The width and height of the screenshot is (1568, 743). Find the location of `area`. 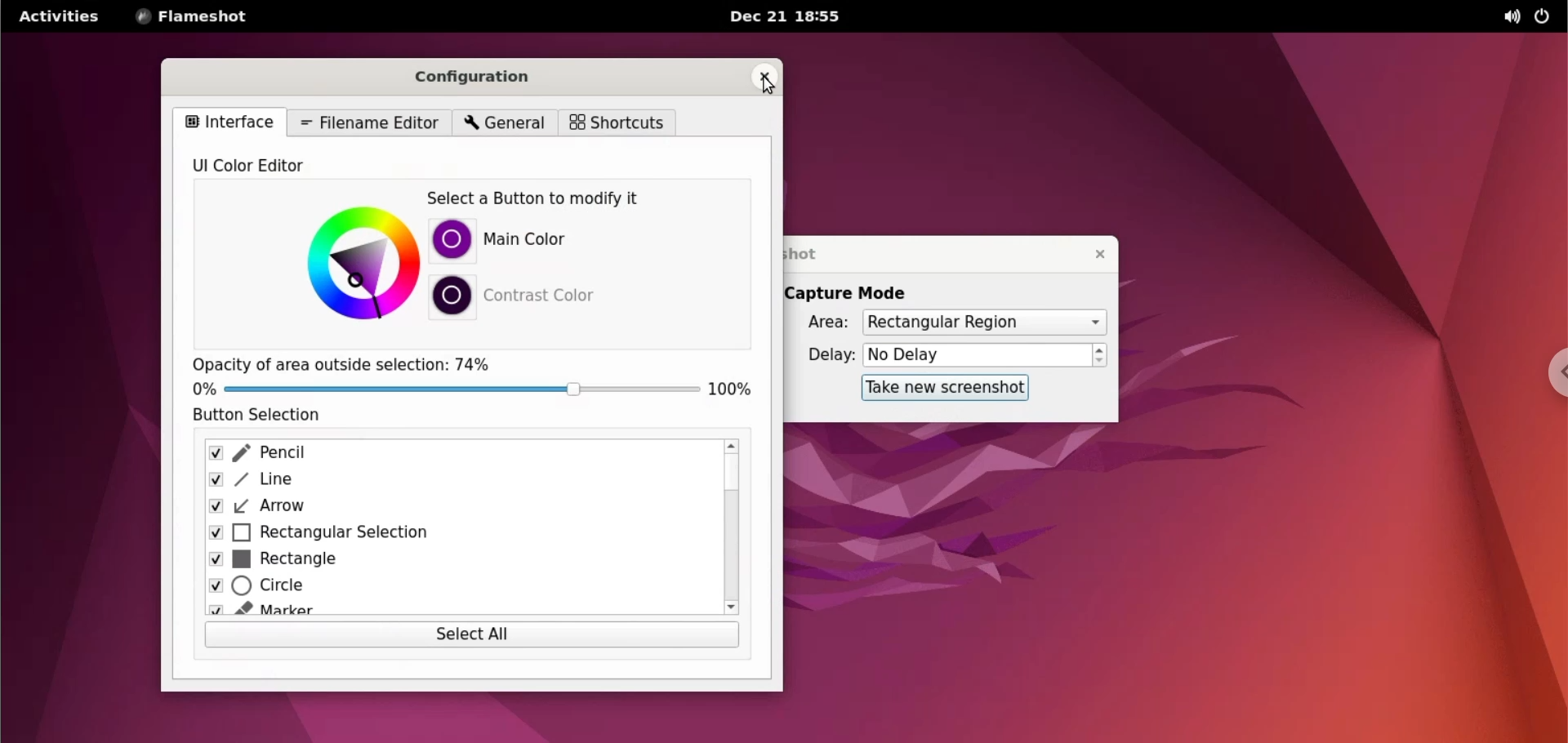

area is located at coordinates (817, 323).